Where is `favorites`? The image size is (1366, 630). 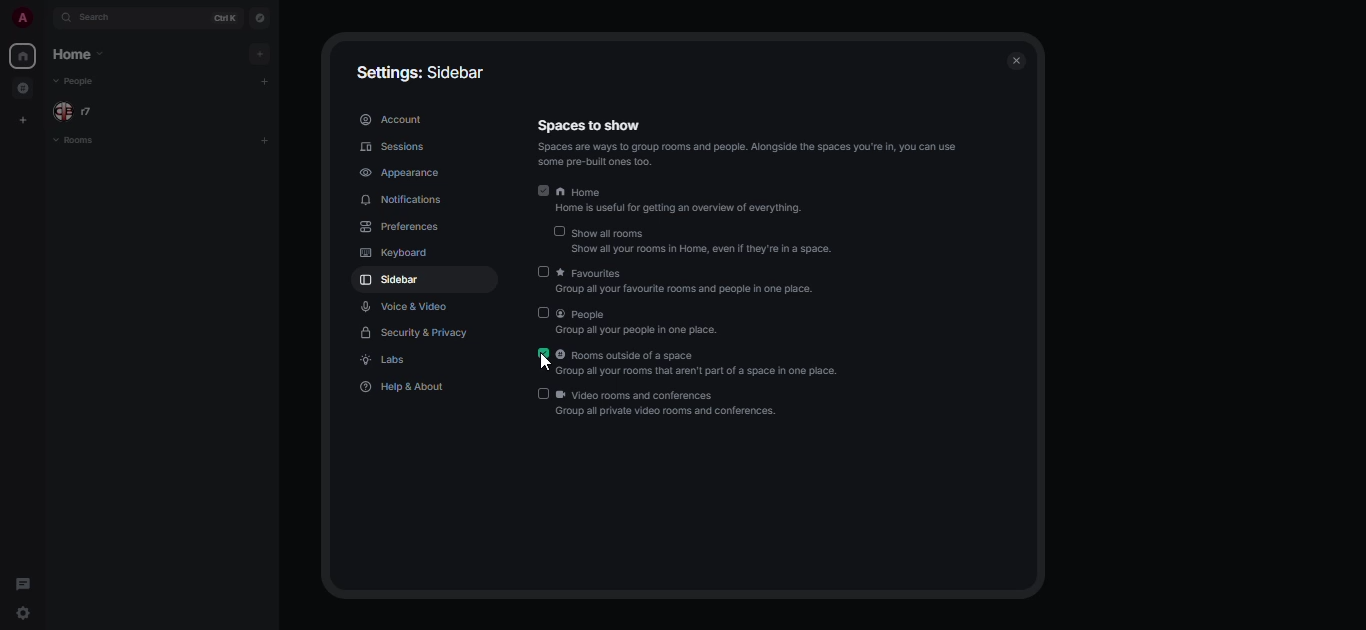 favorites is located at coordinates (695, 282).